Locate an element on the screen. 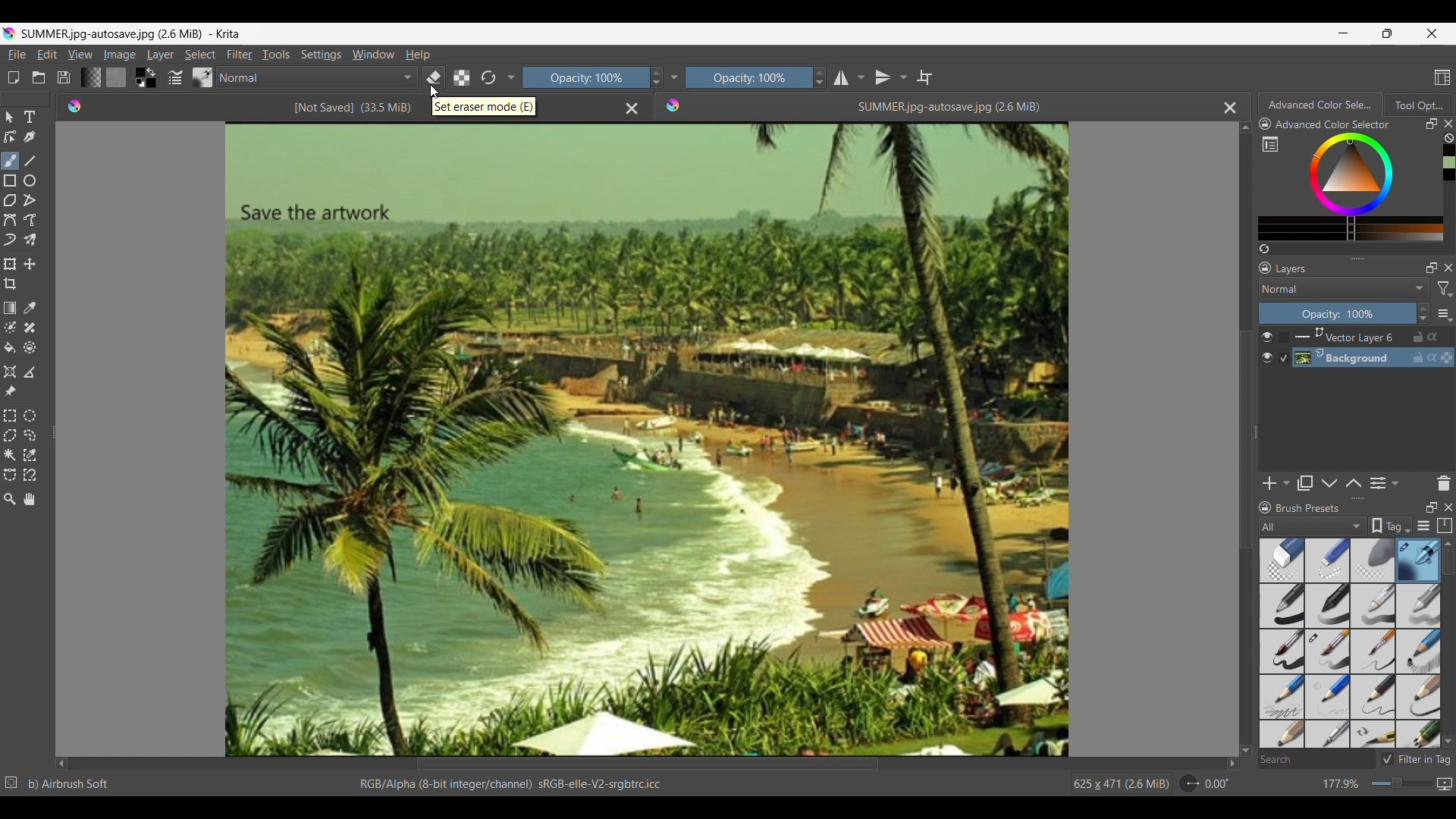 Image resolution: width=1456 pixels, height=819 pixels. Delete panel is located at coordinates (1443, 483).